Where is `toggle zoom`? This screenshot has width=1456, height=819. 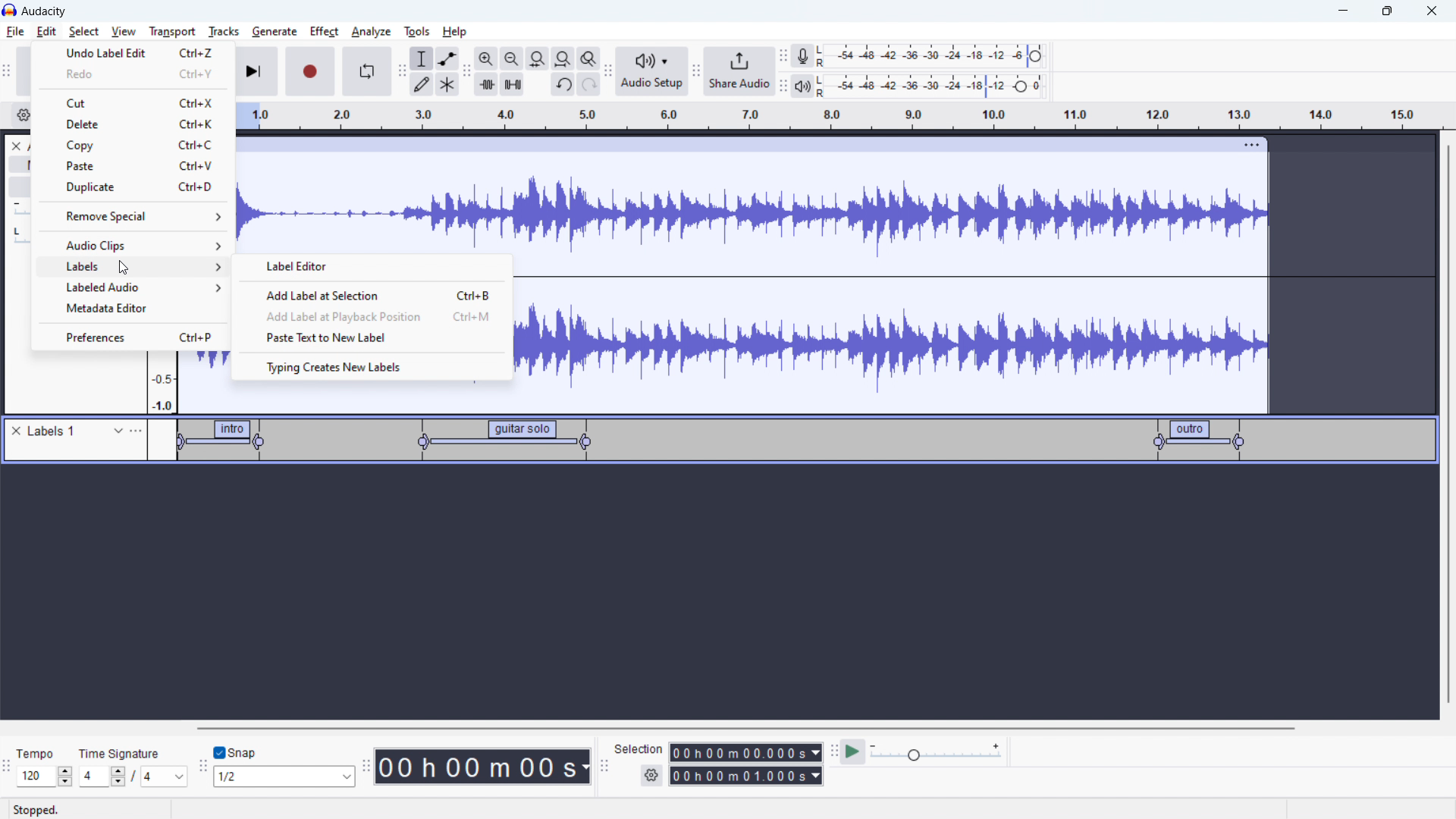 toggle zoom is located at coordinates (588, 58).